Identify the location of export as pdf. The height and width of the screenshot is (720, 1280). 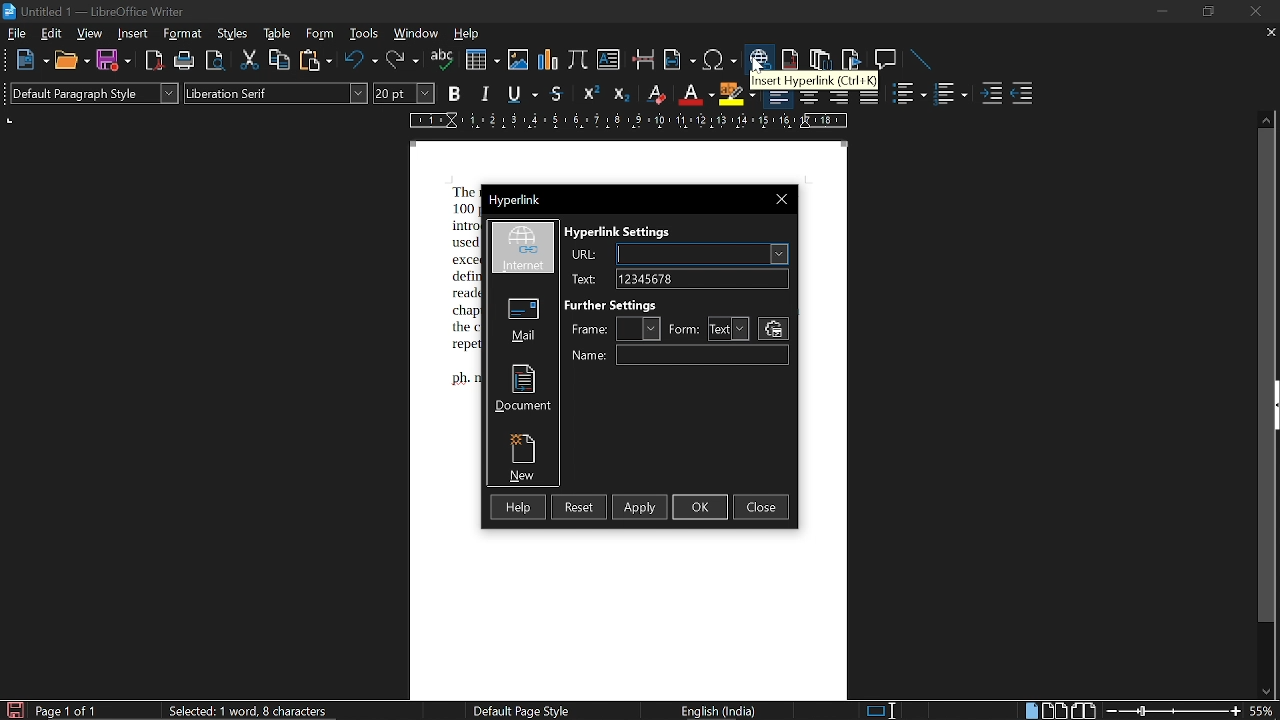
(151, 61).